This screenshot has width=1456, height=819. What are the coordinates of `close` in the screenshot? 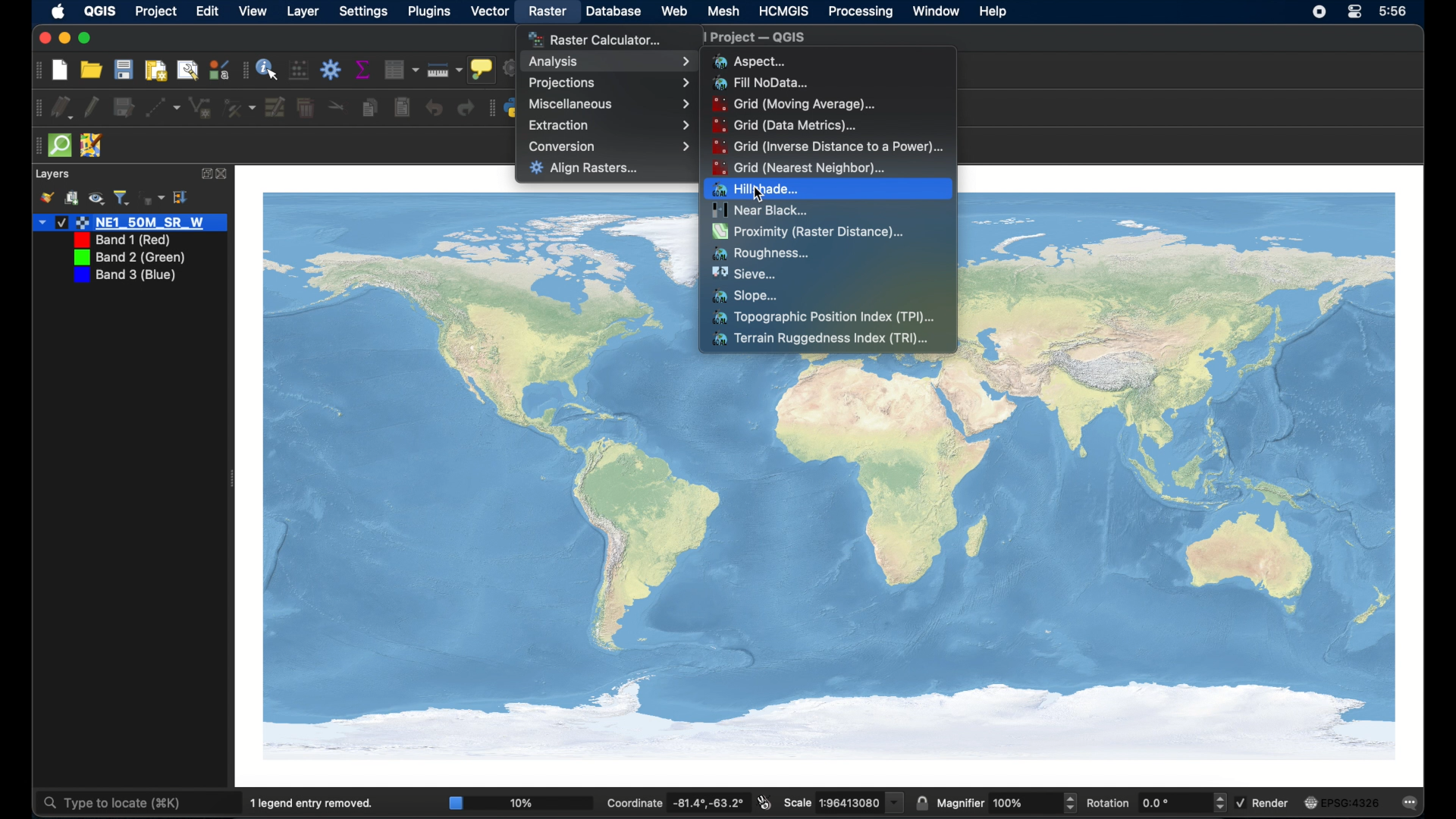 It's located at (41, 39).